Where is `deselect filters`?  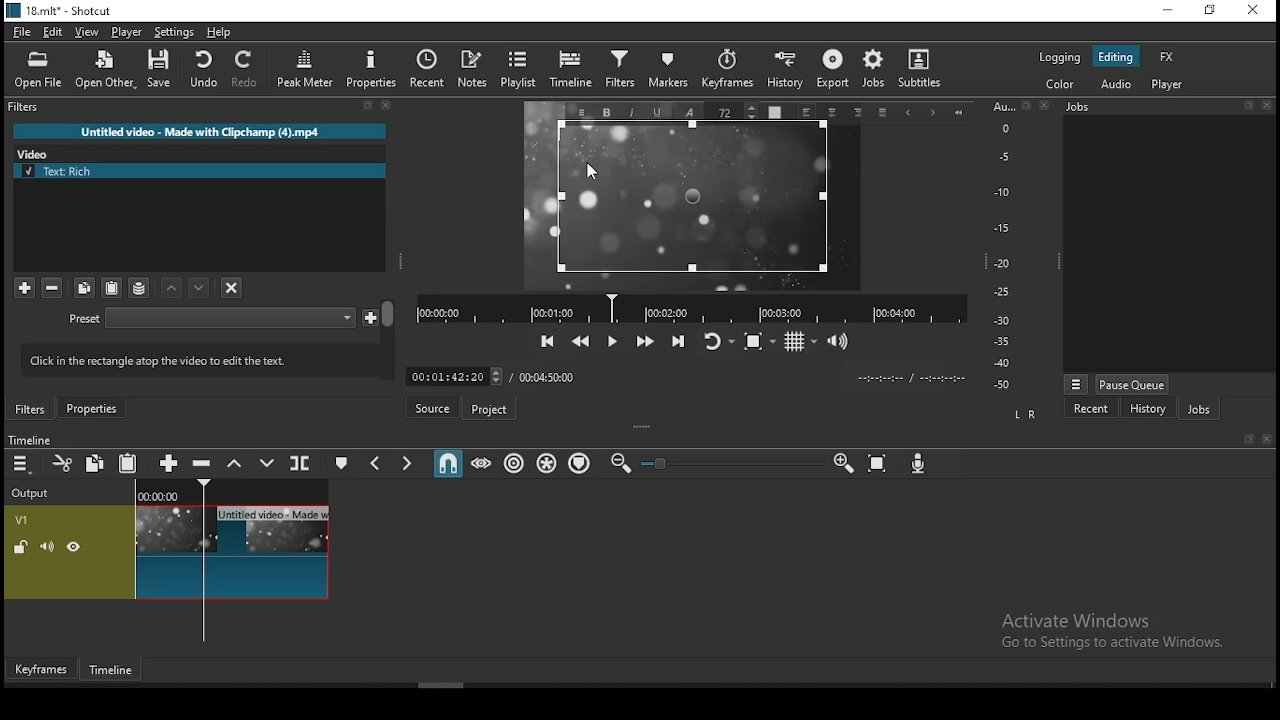
deselect filters is located at coordinates (230, 286).